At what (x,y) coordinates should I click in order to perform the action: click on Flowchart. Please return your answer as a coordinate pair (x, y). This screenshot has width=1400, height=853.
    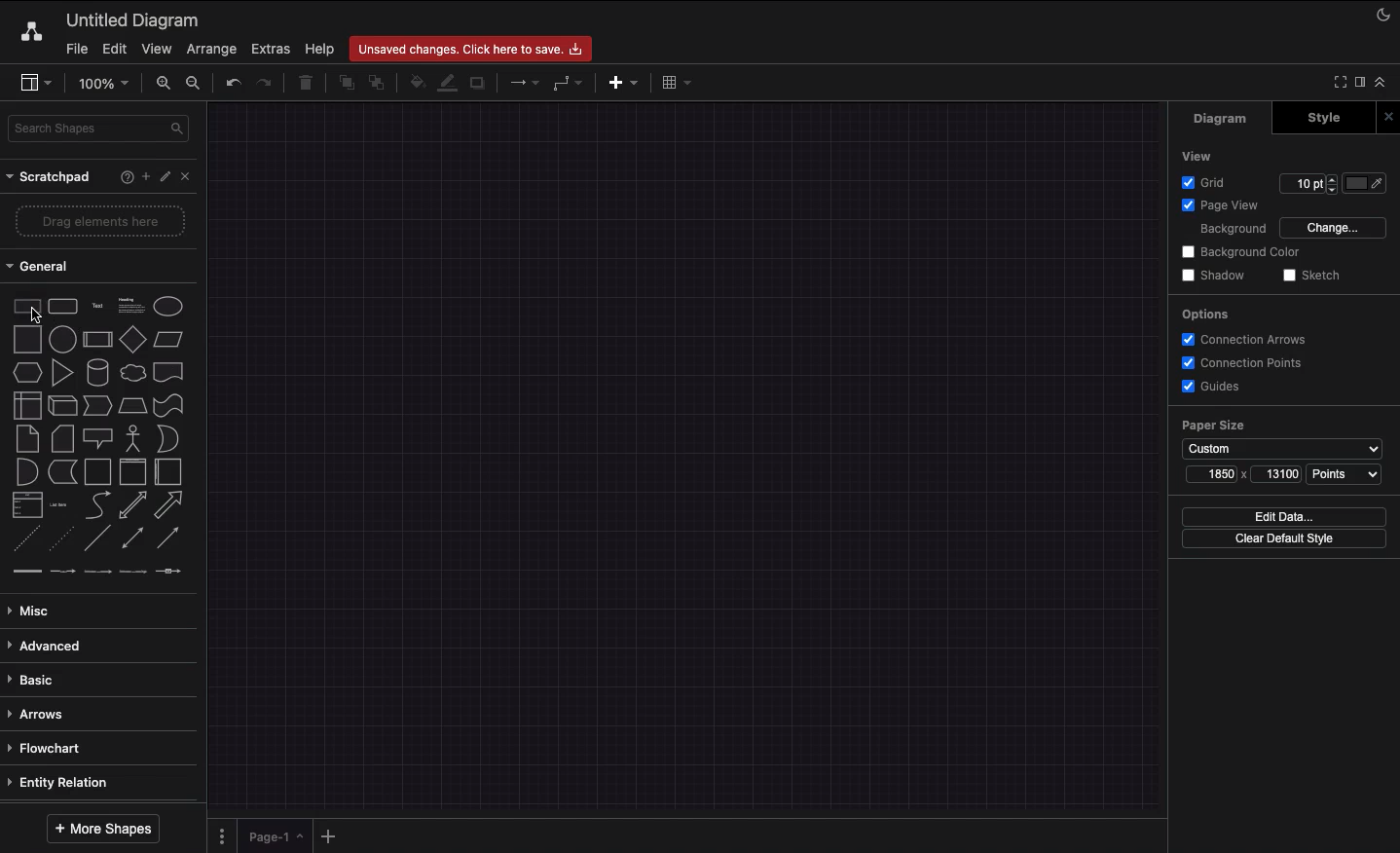
    Looking at the image, I should click on (57, 750).